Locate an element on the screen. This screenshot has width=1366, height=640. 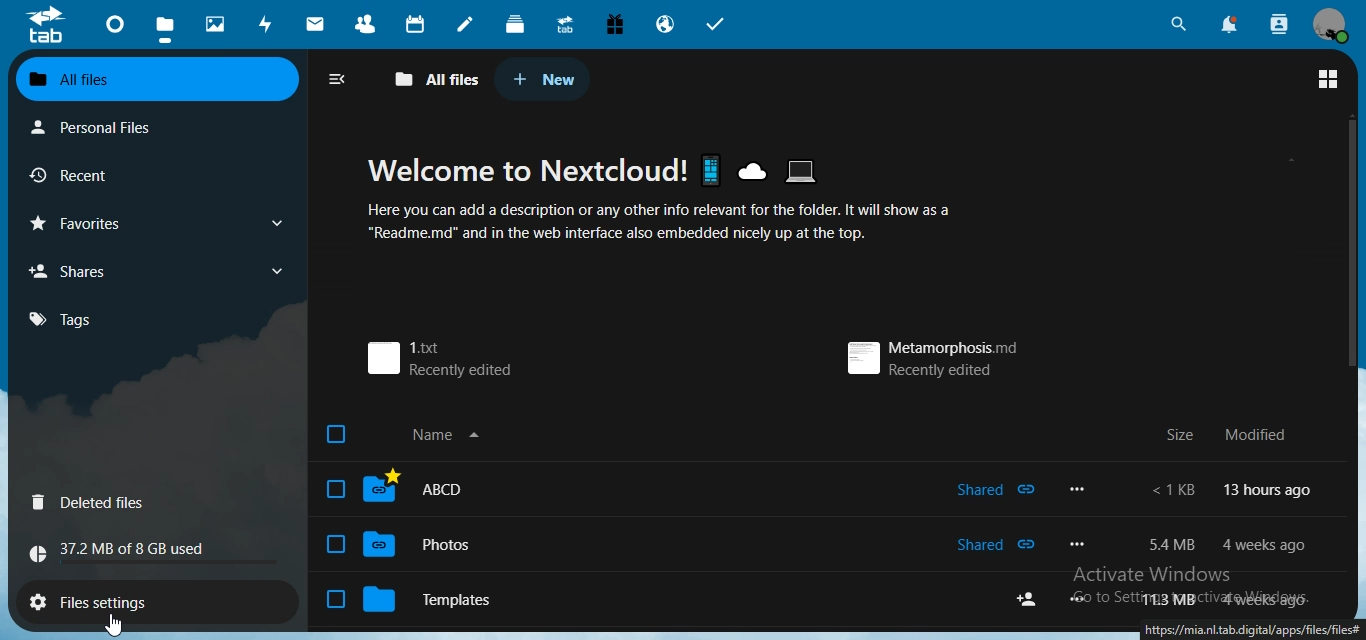
calendar is located at coordinates (415, 23).